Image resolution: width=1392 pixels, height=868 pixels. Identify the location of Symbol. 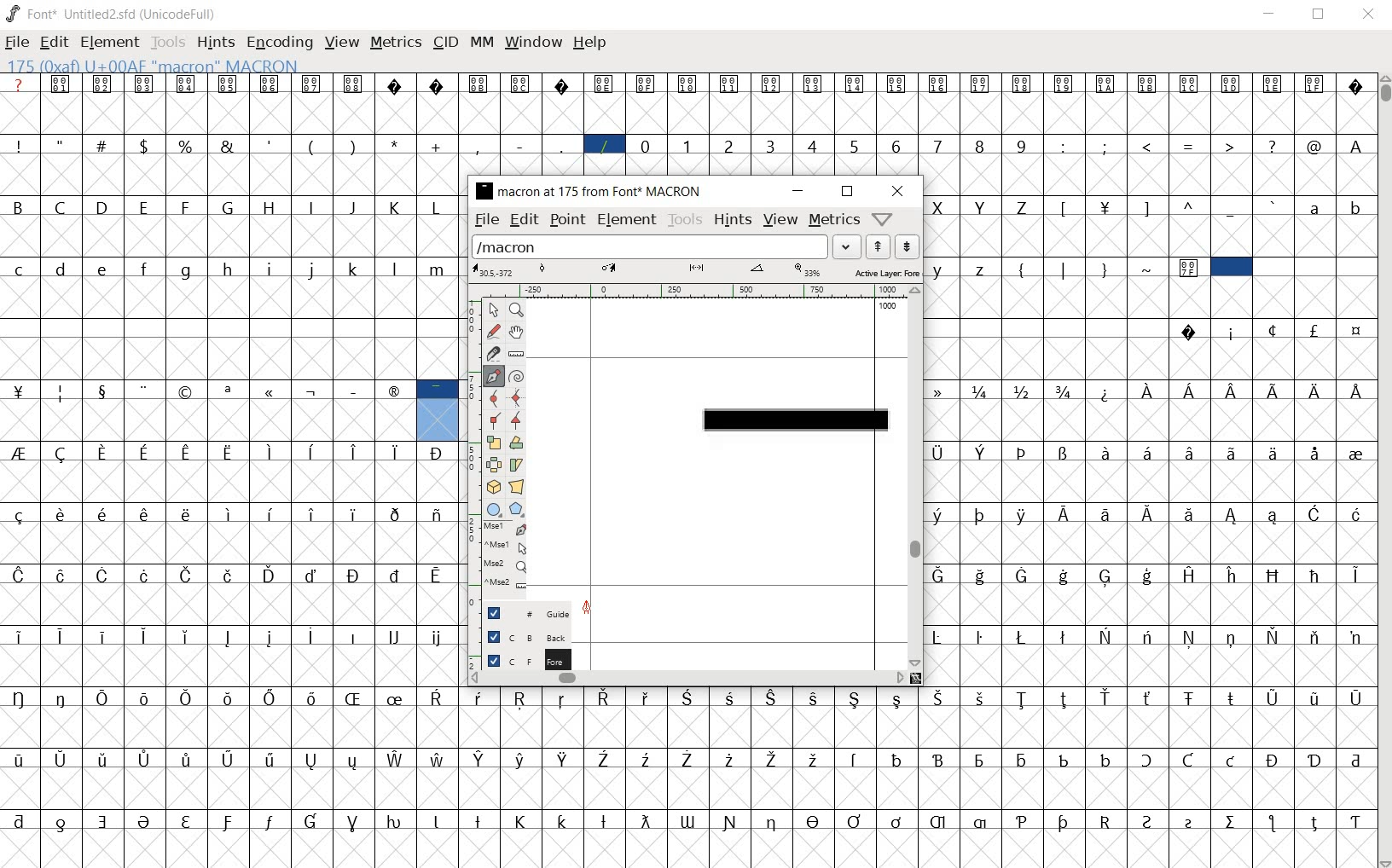
(896, 697).